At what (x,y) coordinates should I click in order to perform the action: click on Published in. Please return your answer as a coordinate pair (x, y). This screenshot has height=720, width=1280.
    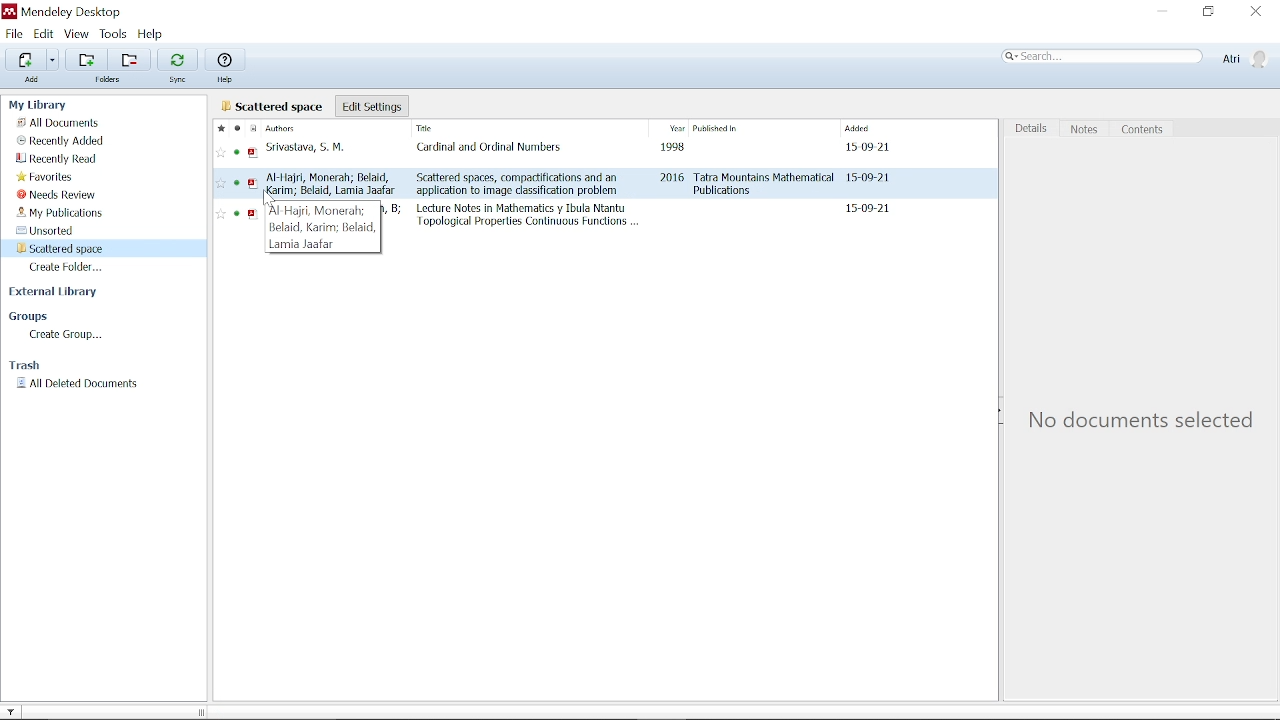
    Looking at the image, I should click on (747, 130).